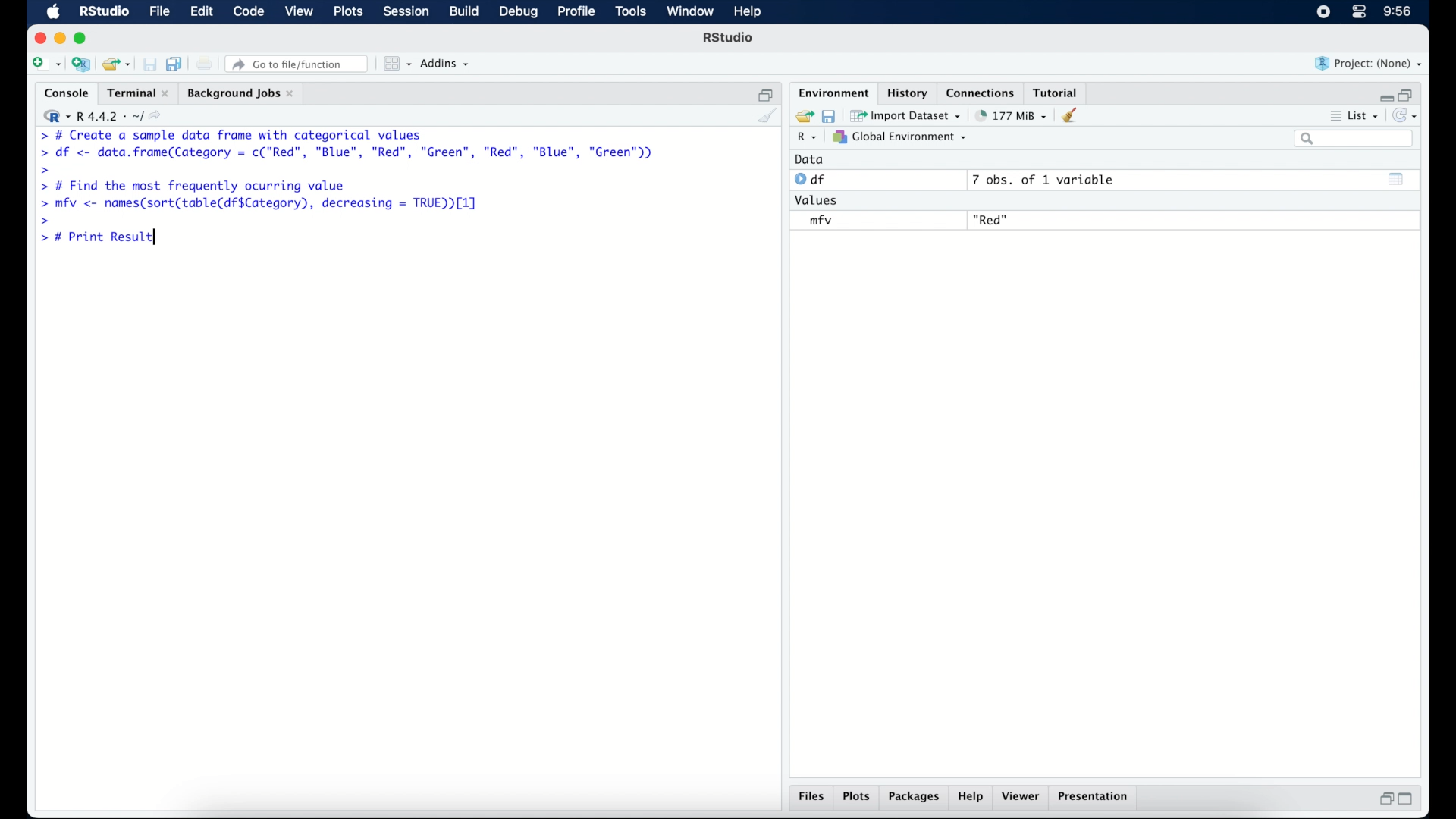 The height and width of the screenshot is (819, 1456). I want to click on minimzie, so click(59, 38).